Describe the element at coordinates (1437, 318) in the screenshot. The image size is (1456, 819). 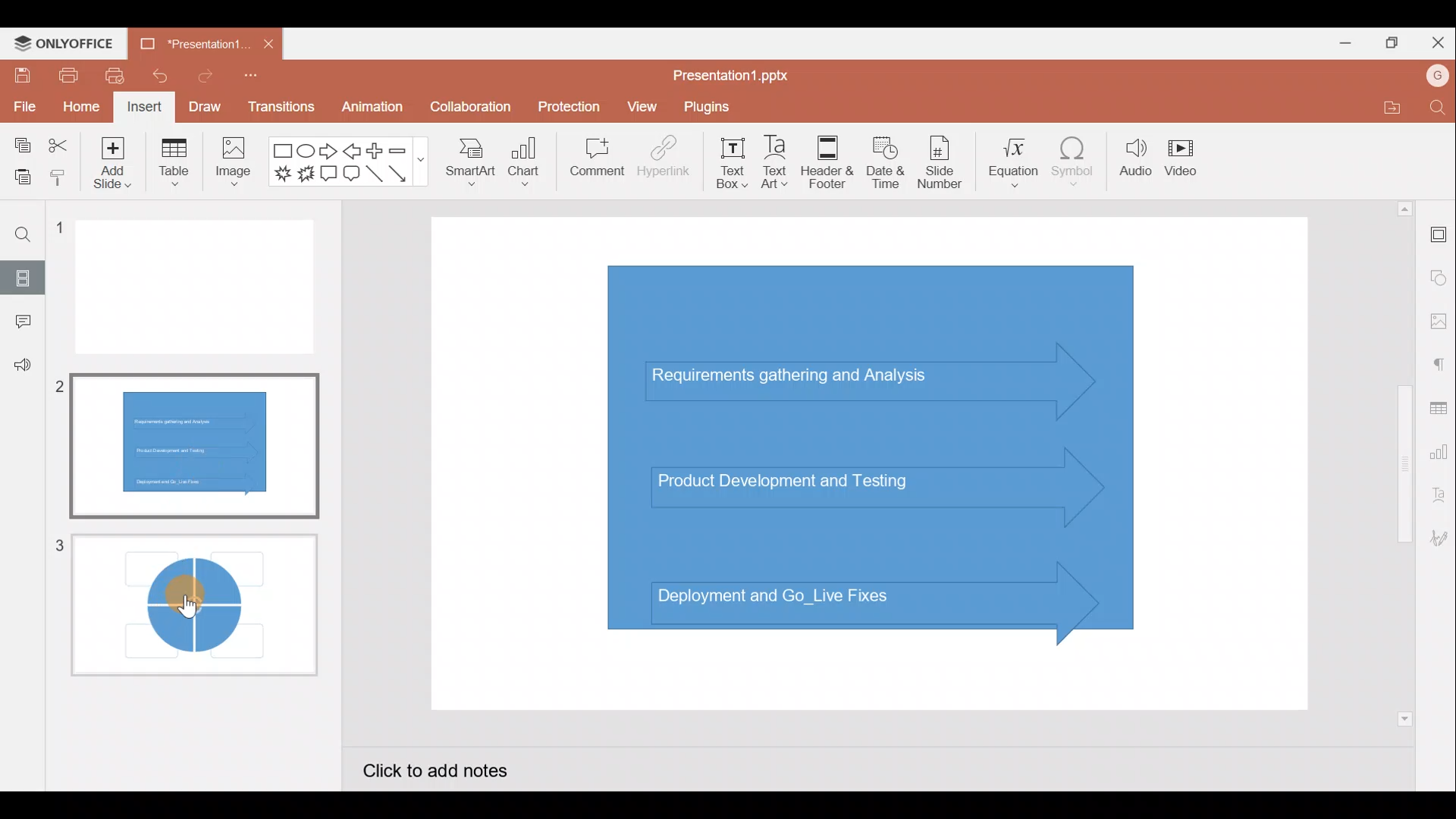
I see `Image settings` at that location.